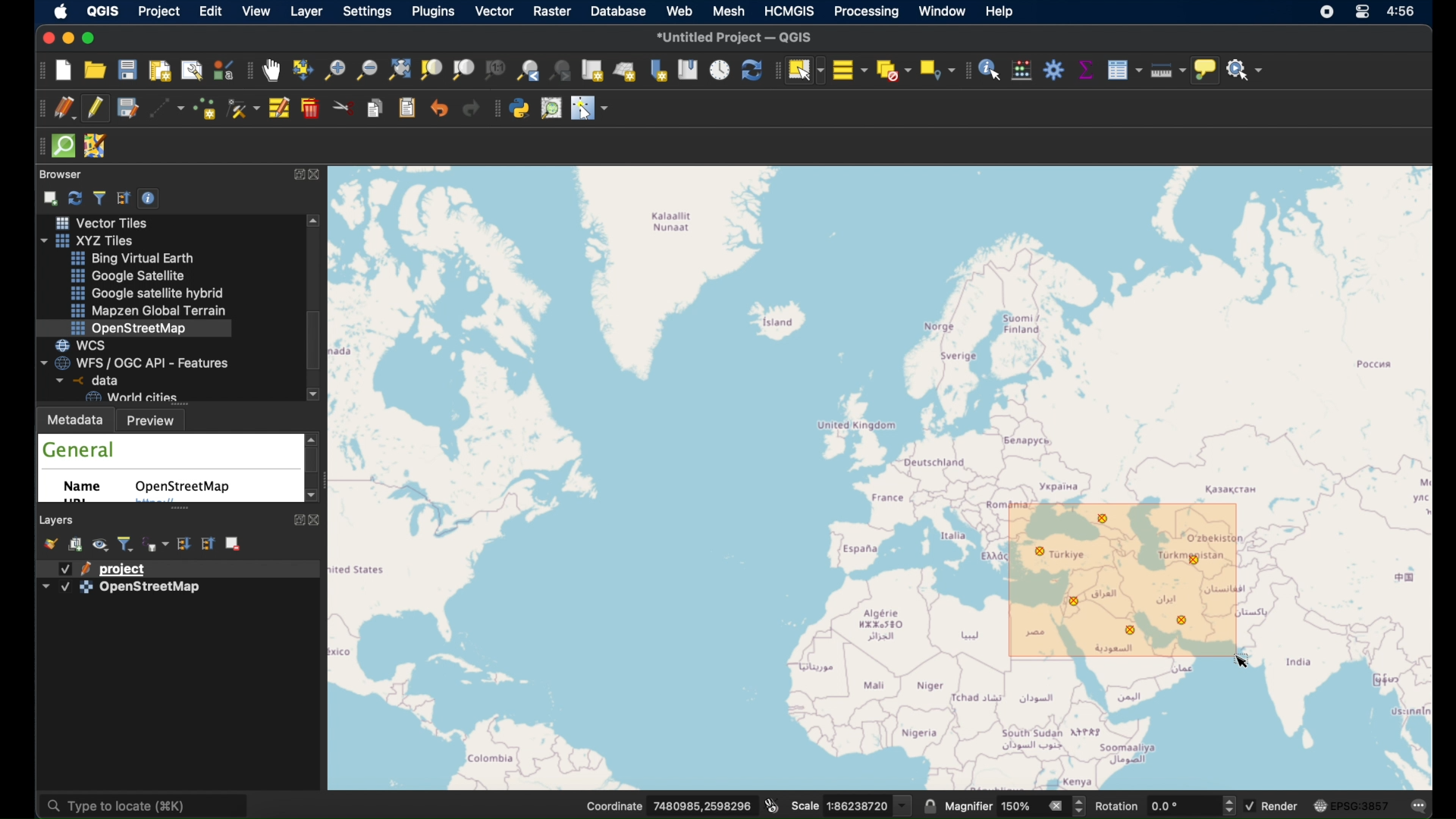  Describe the element at coordinates (67, 39) in the screenshot. I see `minimize` at that location.